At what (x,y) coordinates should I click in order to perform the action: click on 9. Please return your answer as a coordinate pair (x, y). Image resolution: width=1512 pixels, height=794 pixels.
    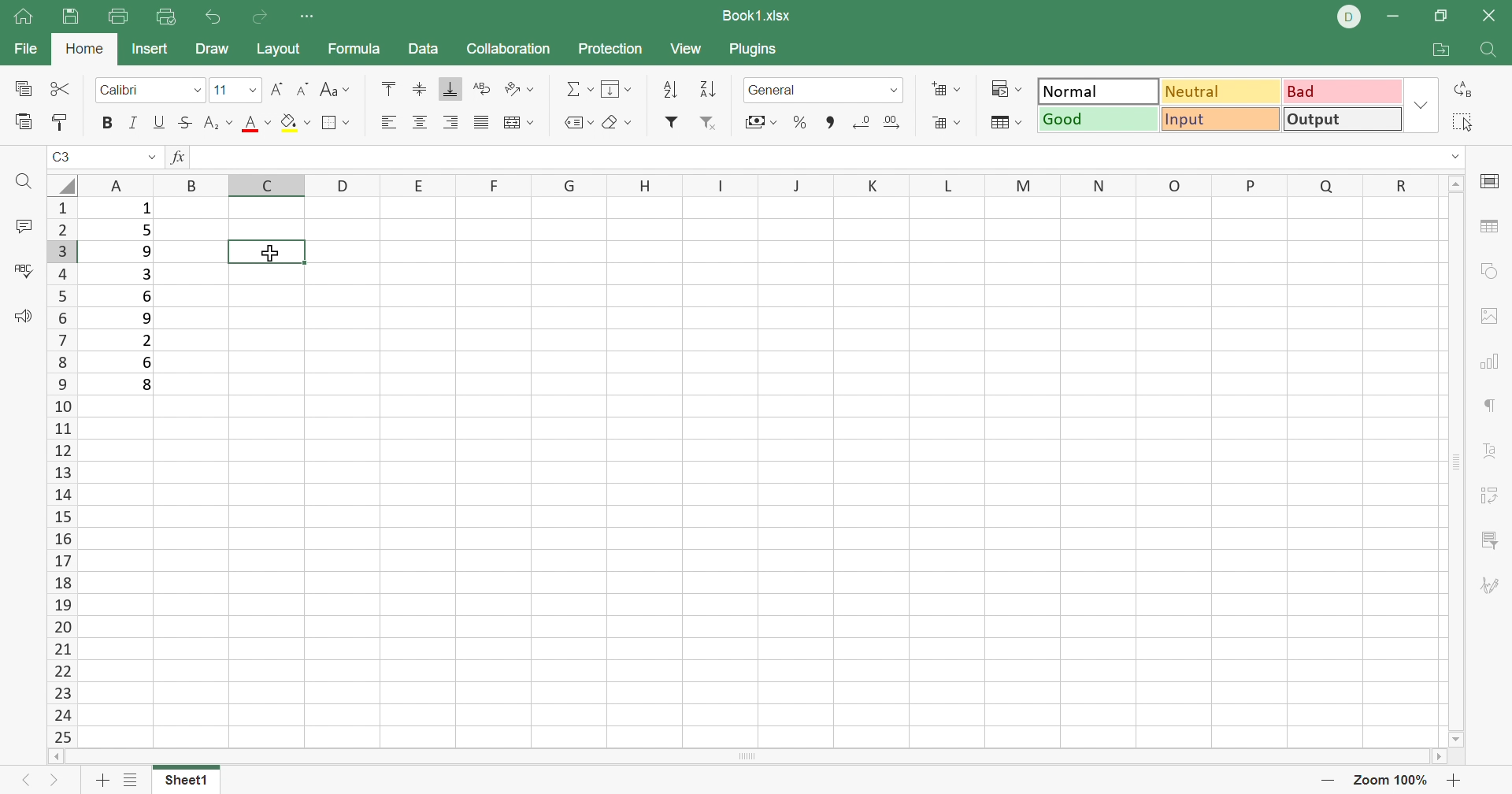
    Looking at the image, I should click on (146, 250).